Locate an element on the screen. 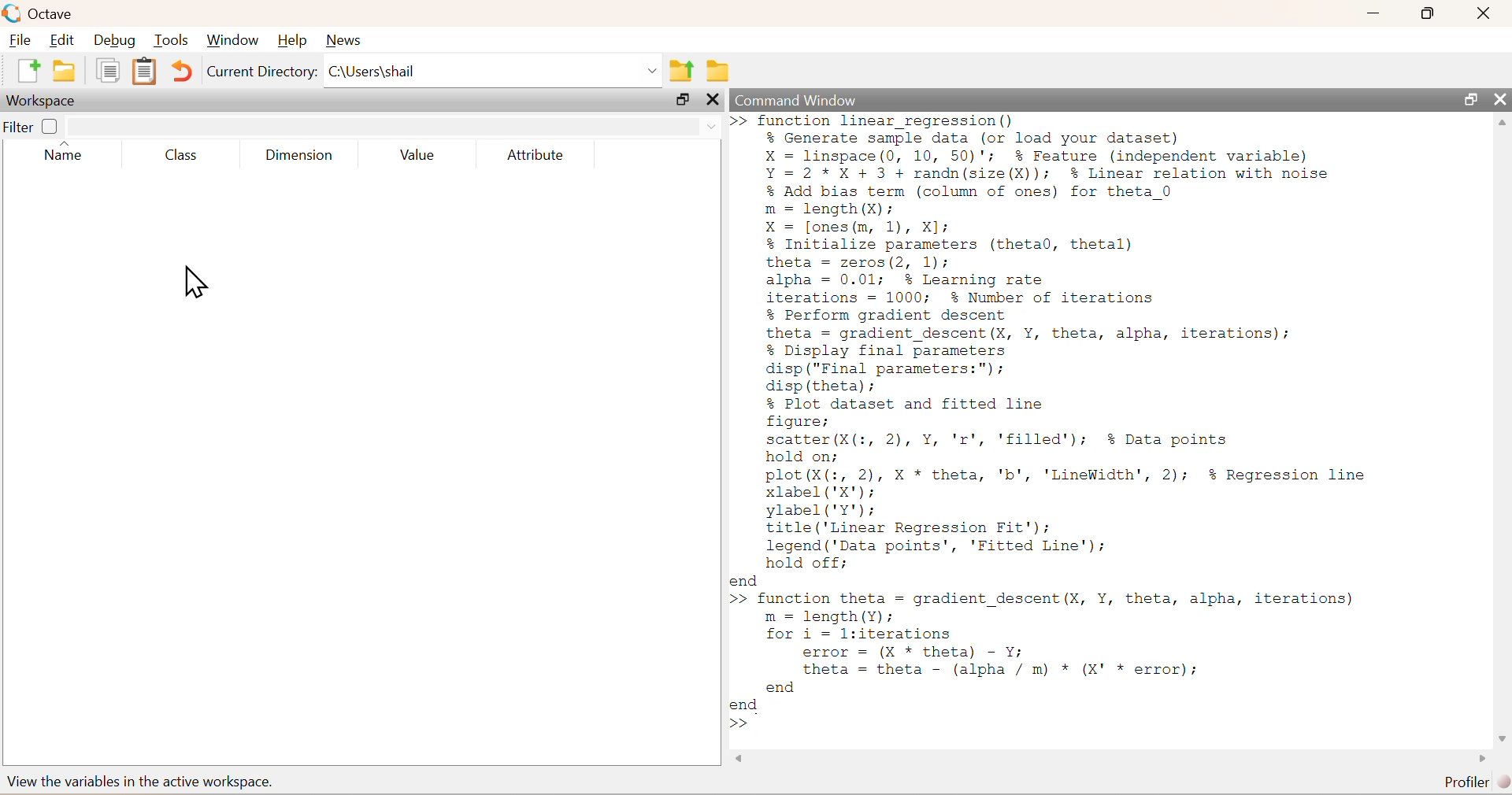 The width and height of the screenshot is (1512, 795). Edit is located at coordinates (64, 40).